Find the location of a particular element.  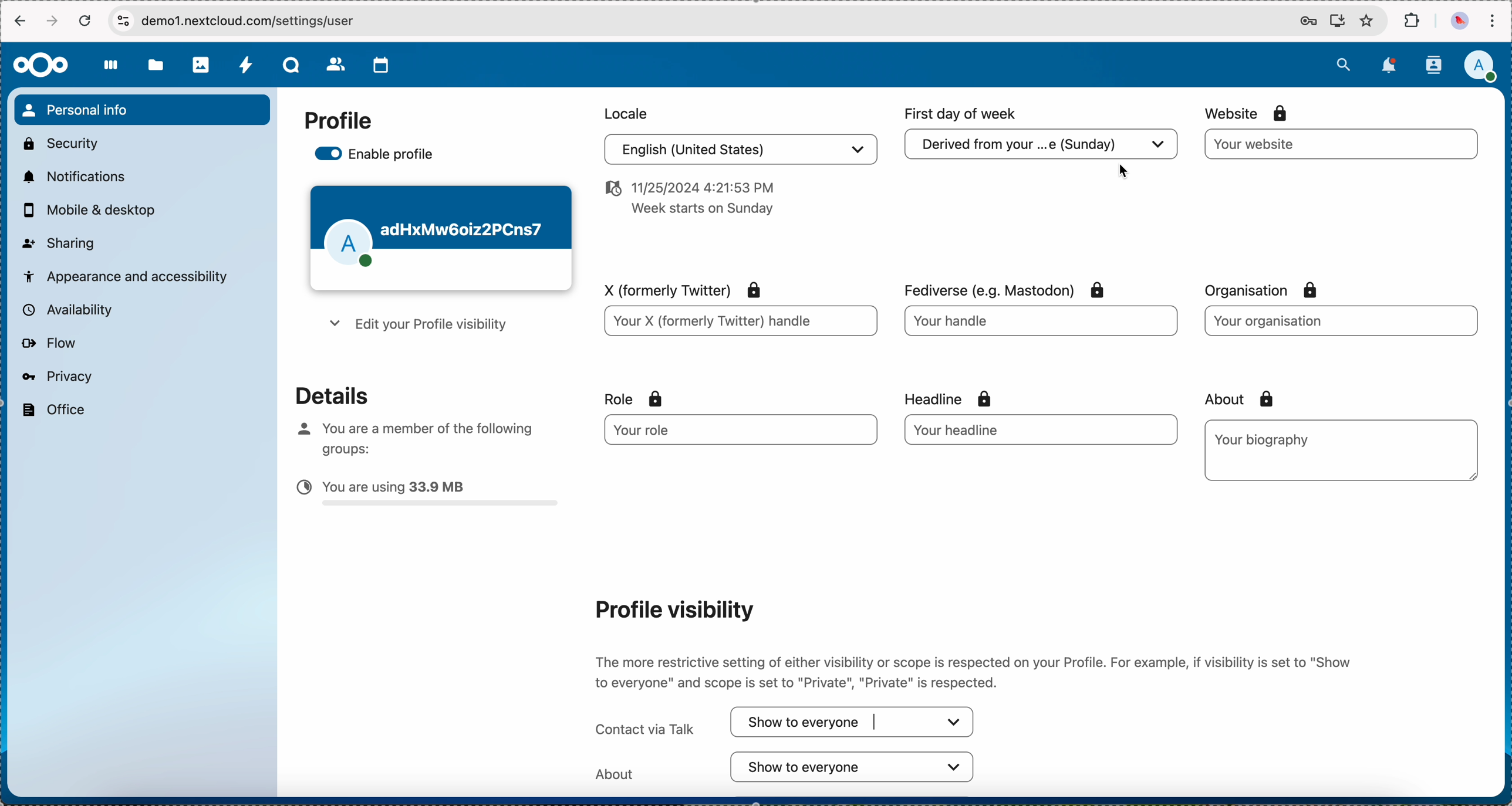

mobile and desktop is located at coordinates (95, 211).